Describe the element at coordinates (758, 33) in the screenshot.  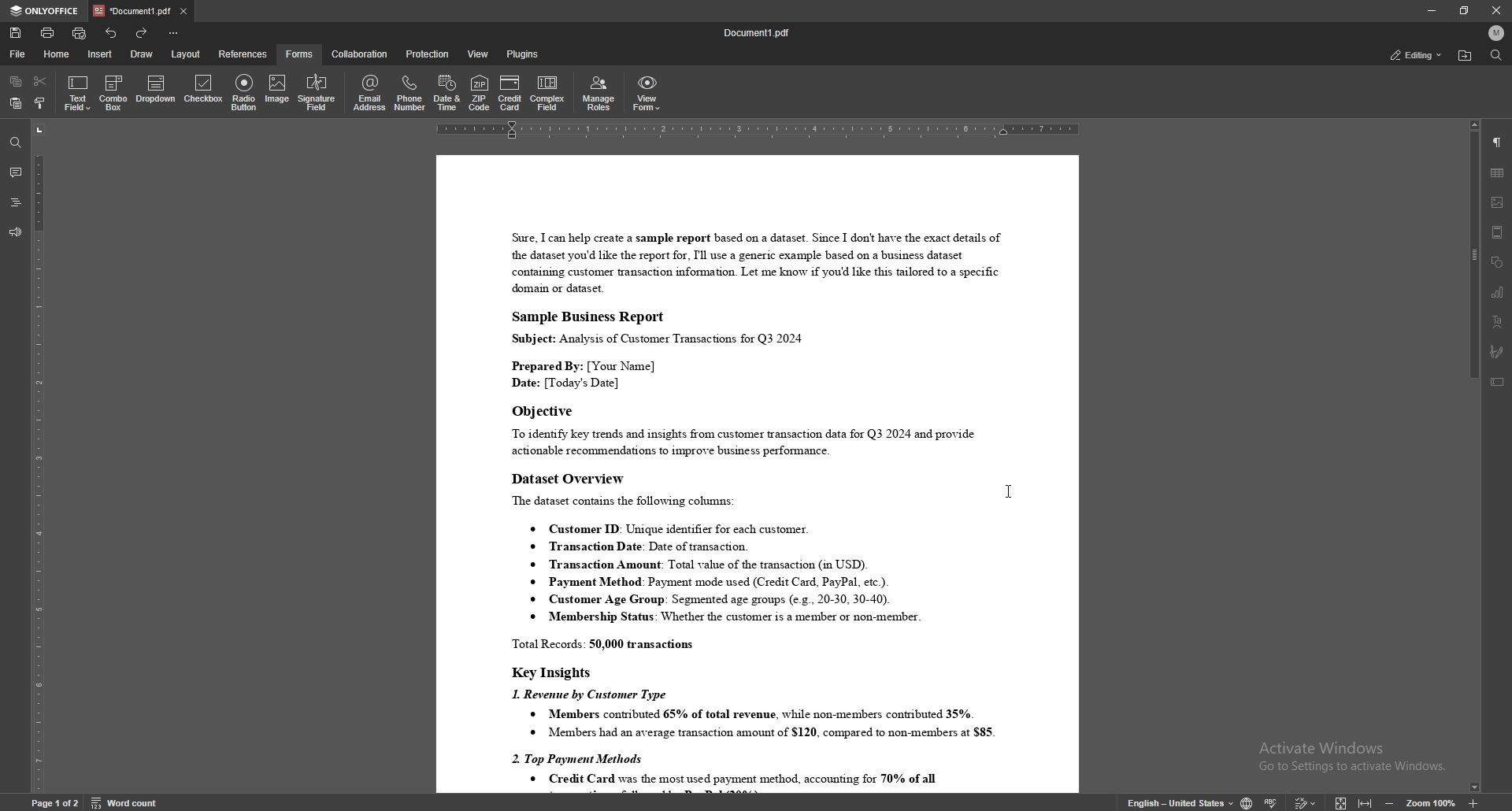
I see `file name` at that location.